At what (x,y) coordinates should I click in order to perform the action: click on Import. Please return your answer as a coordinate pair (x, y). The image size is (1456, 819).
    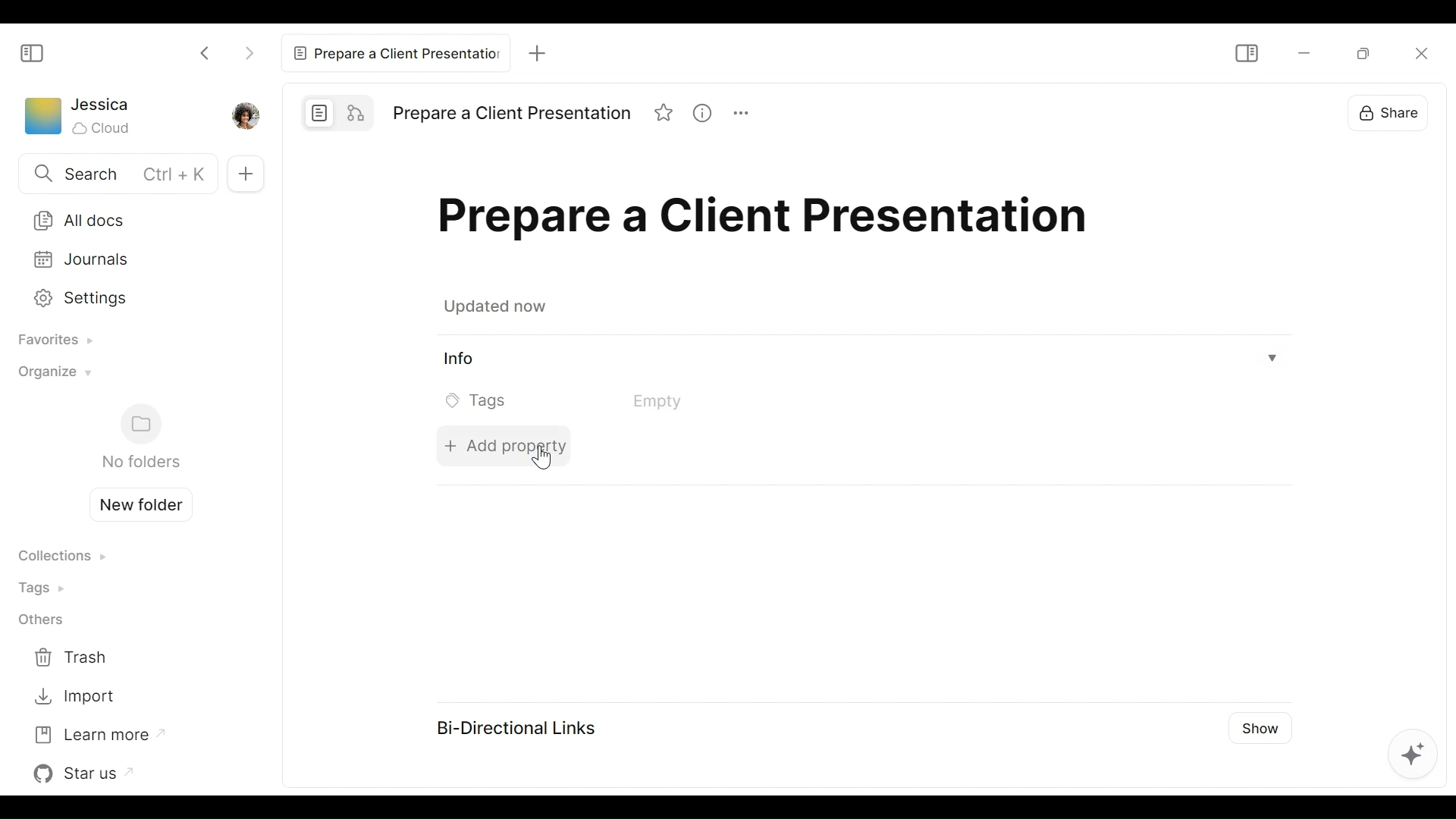
    Looking at the image, I should click on (74, 697).